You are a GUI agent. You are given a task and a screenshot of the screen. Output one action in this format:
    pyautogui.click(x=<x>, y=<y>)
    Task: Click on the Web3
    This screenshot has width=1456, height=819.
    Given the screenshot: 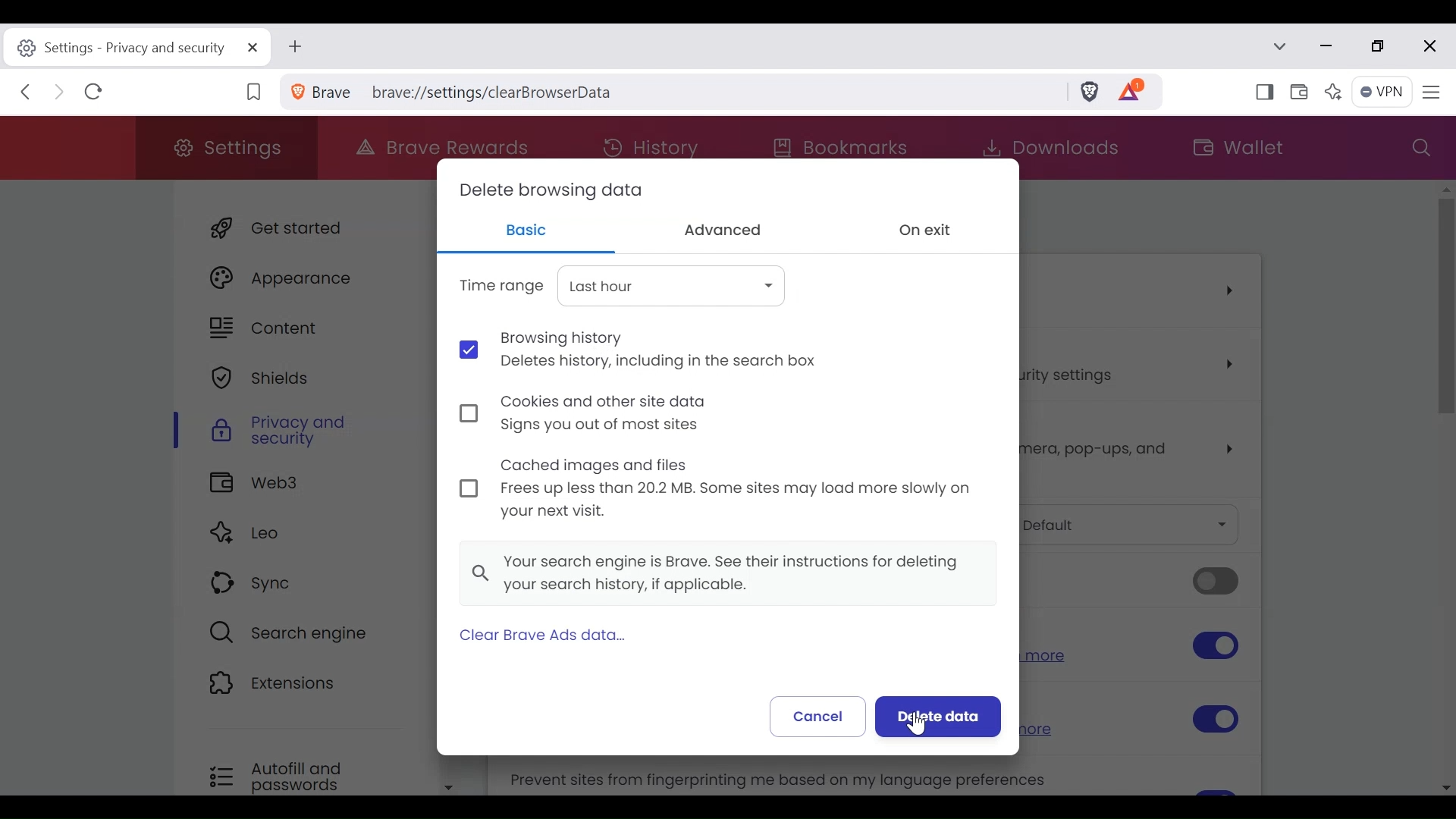 What is the action you would take?
    pyautogui.click(x=299, y=485)
    